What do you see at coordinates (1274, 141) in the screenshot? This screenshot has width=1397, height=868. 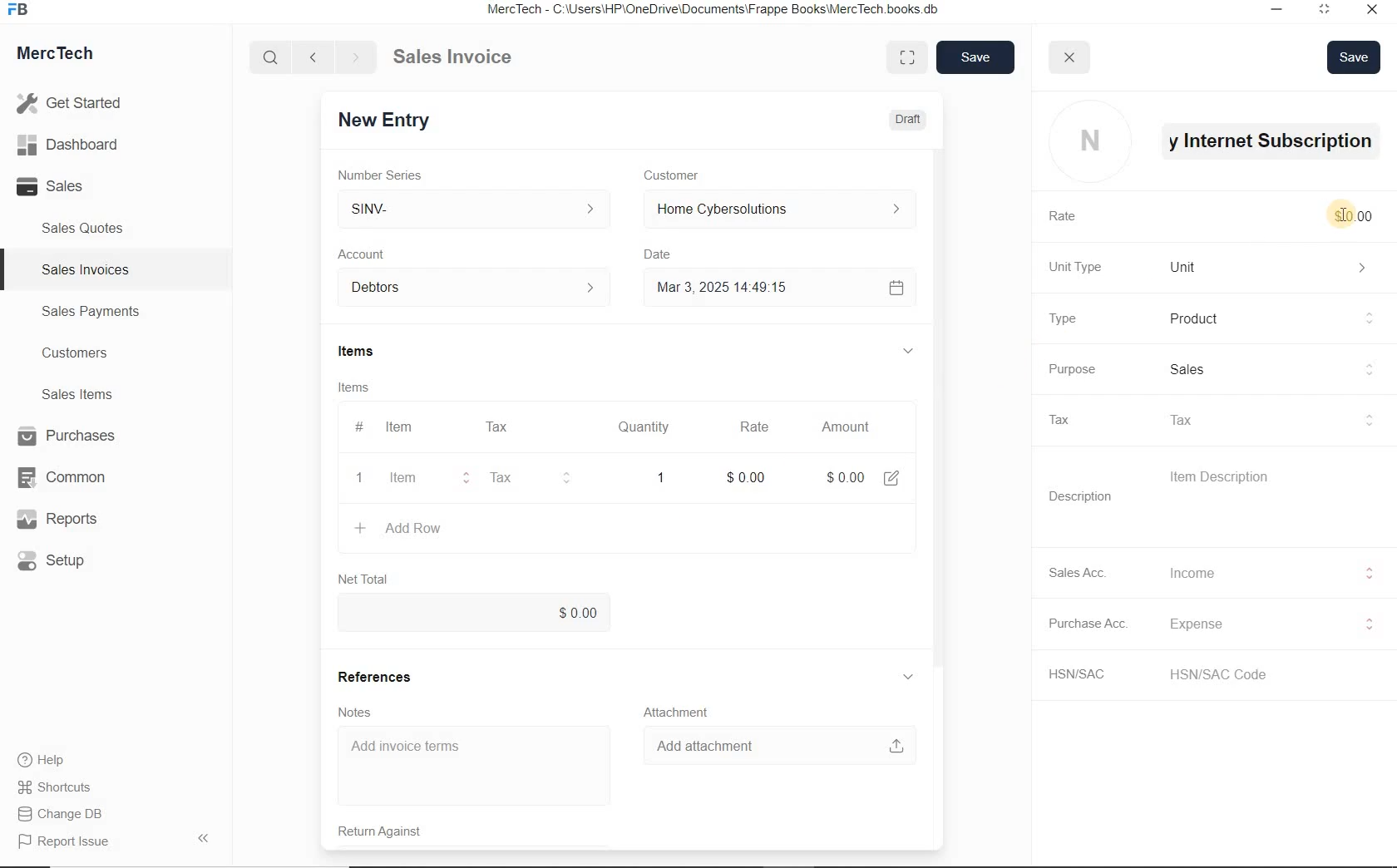 I see `item name` at bounding box center [1274, 141].